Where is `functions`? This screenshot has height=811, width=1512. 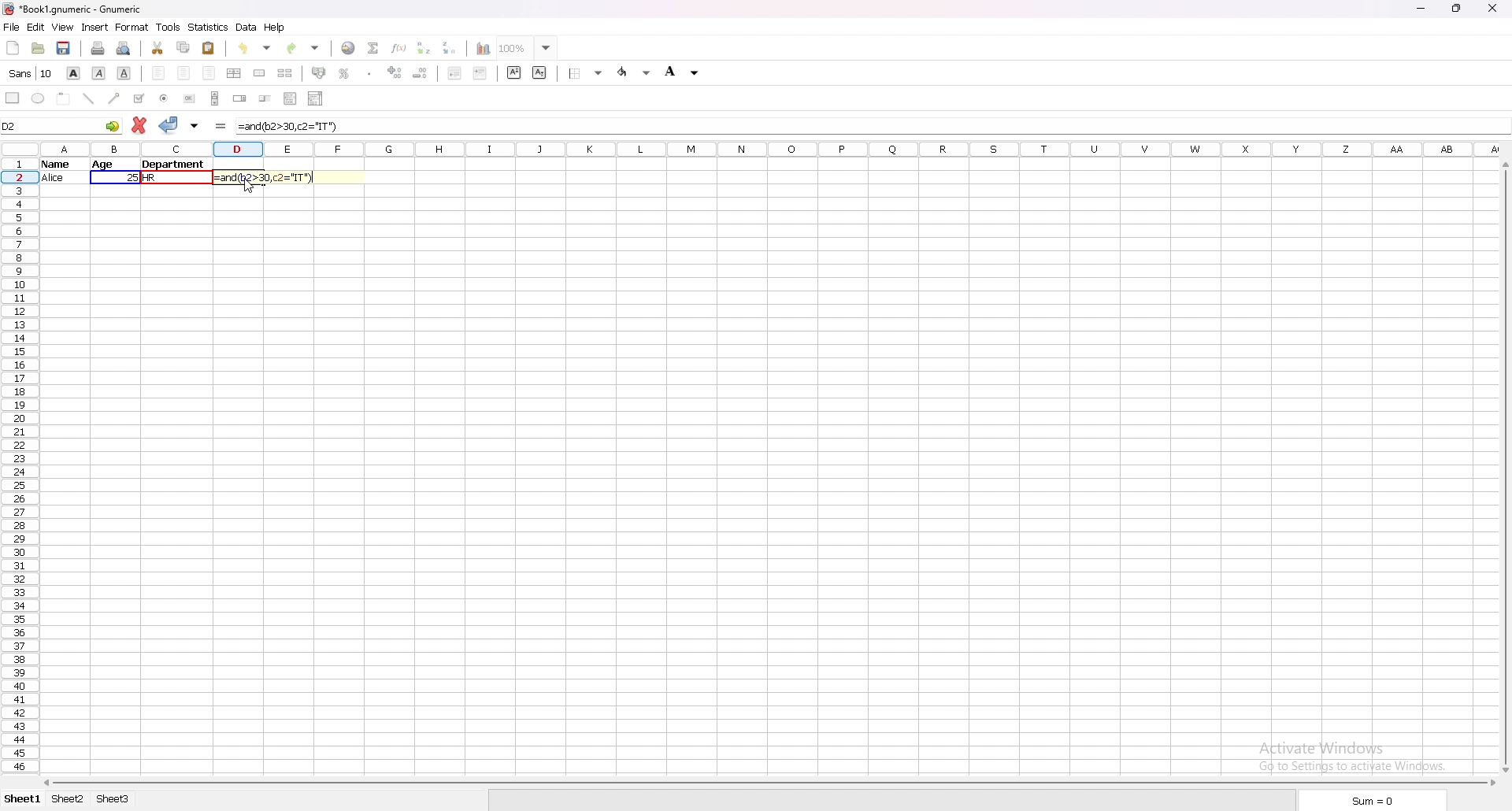 functions is located at coordinates (398, 47).